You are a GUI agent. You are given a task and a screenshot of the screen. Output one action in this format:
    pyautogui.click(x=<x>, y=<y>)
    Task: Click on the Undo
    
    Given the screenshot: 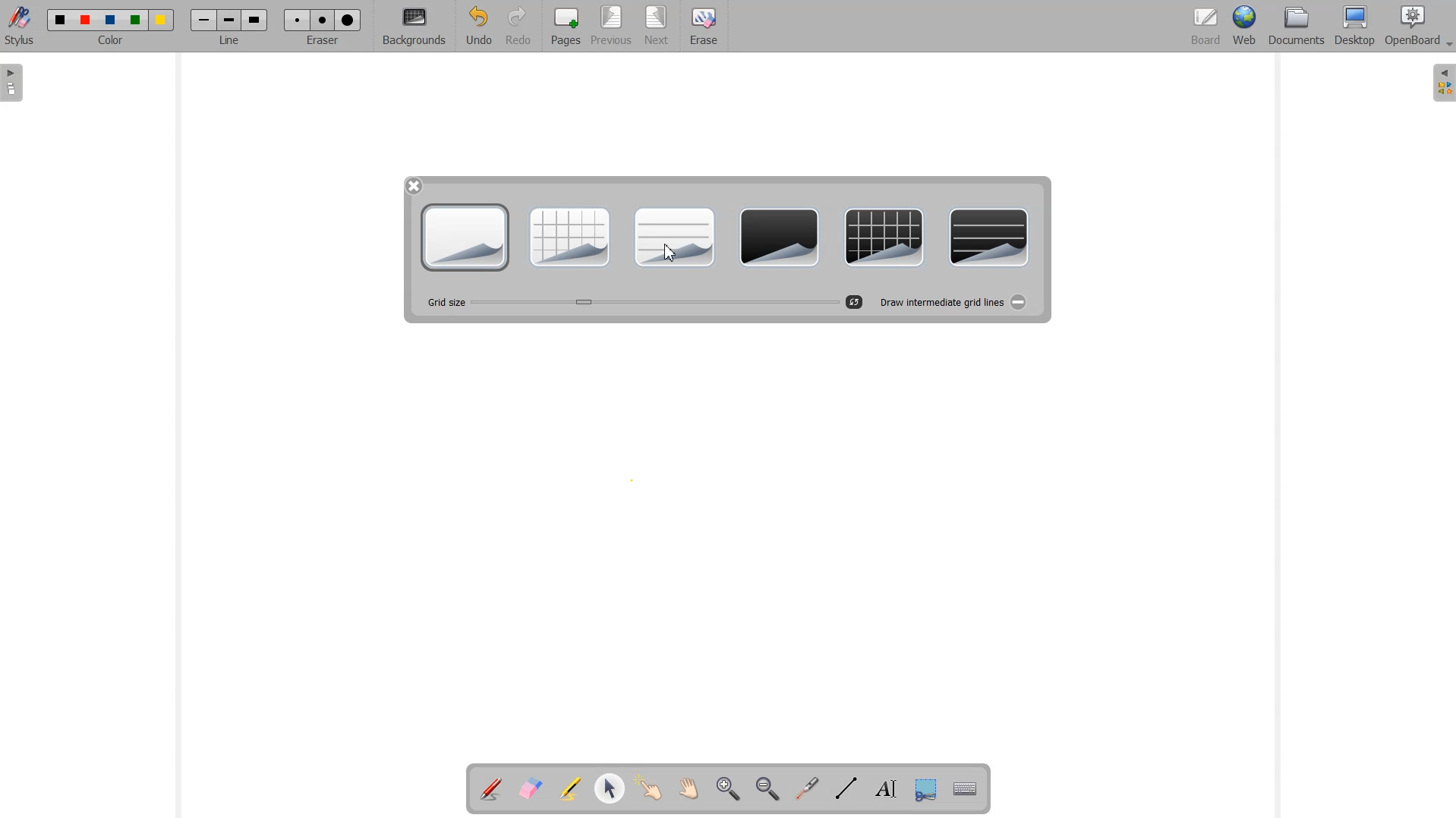 What is the action you would take?
    pyautogui.click(x=478, y=27)
    